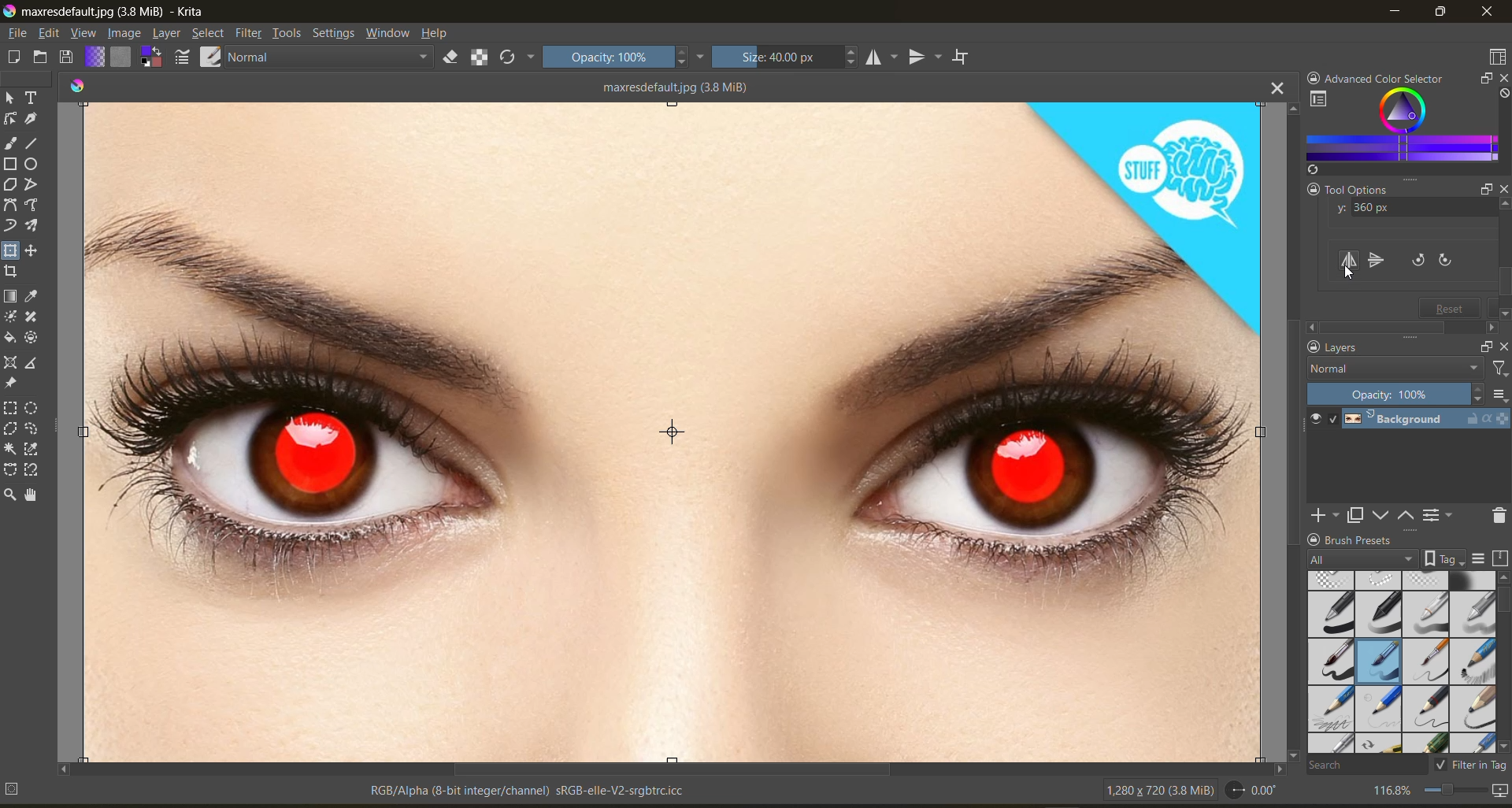 The image size is (1512, 808). I want to click on display settings, so click(1480, 557).